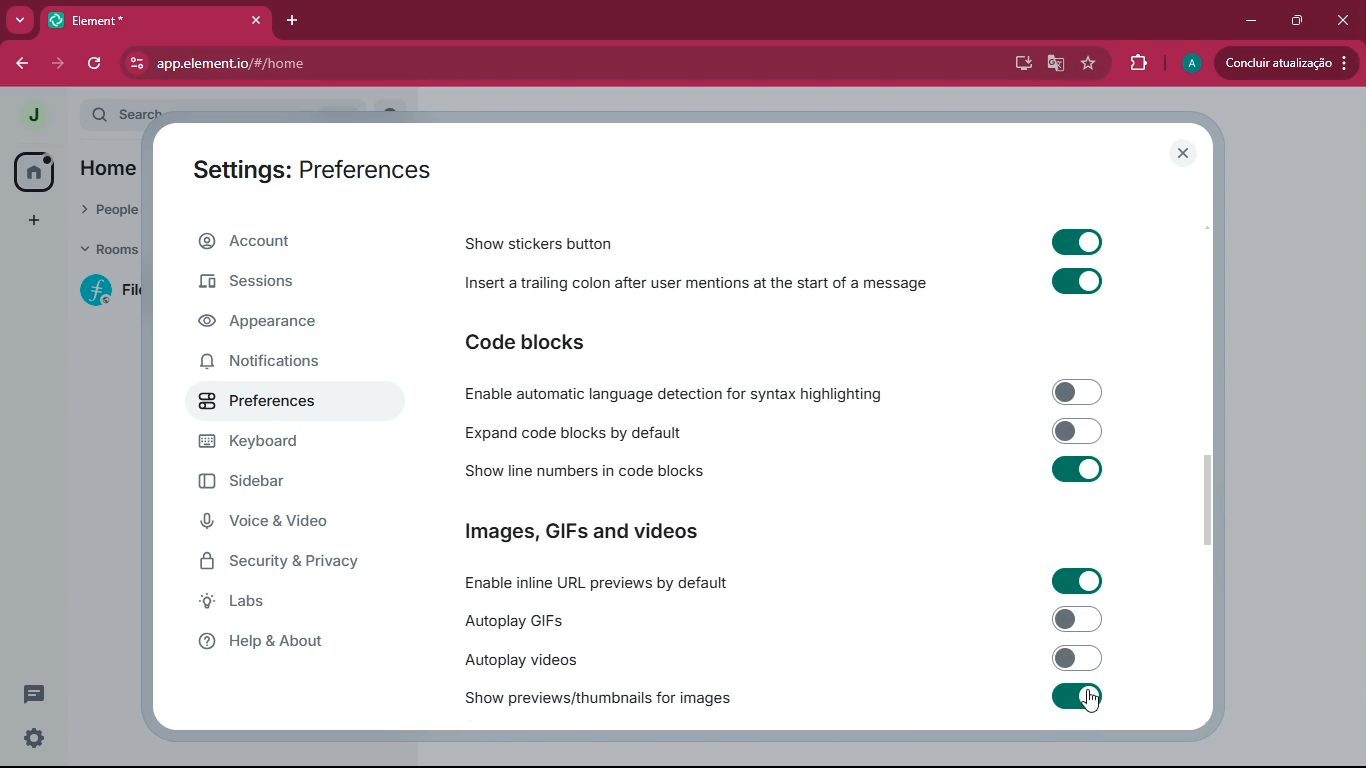  Describe the element at coordinates (1078, 430) in the screenshot. I see `Toggle off` at that location.